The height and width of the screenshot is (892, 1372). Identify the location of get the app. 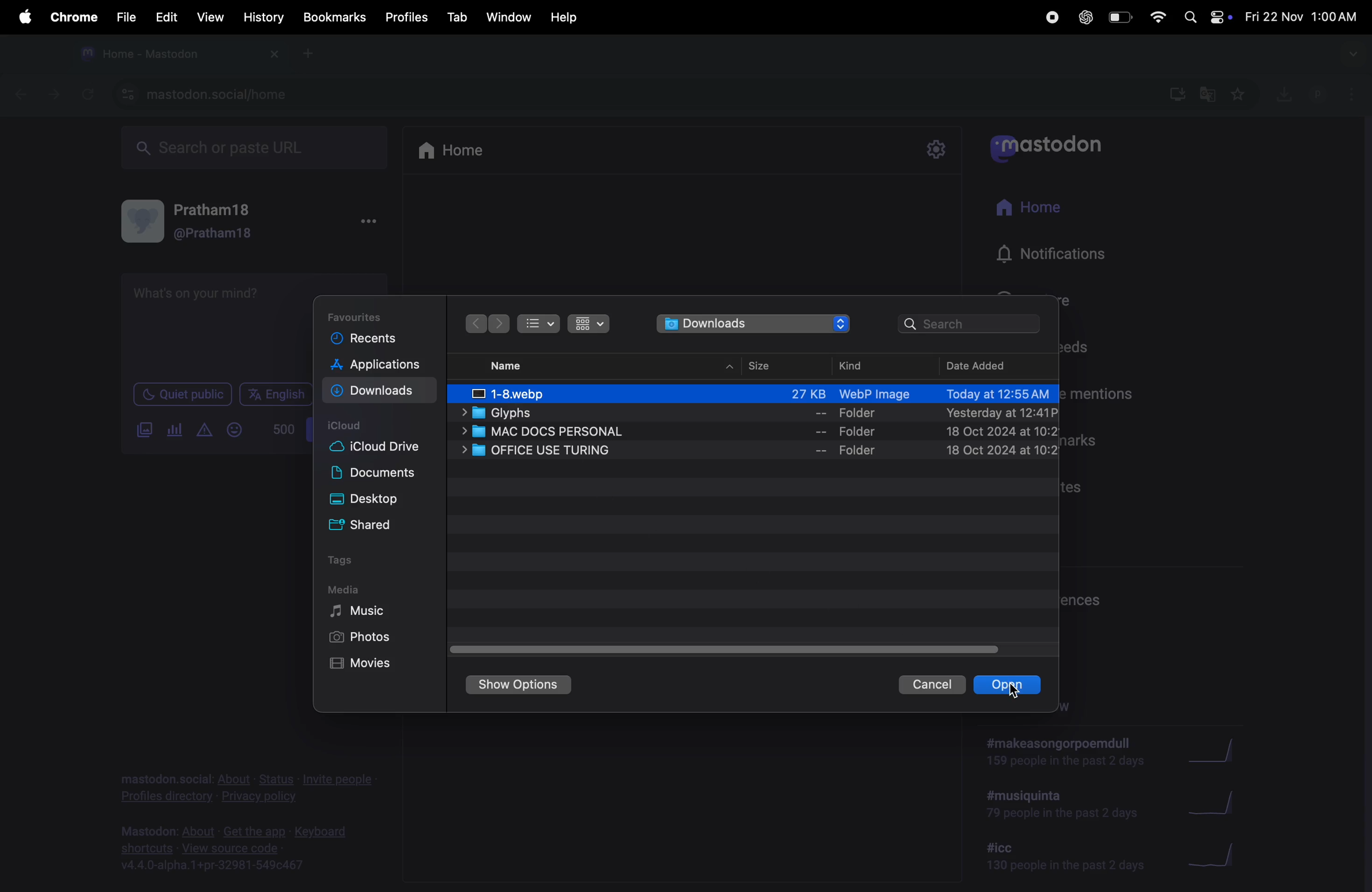
(257, 830).